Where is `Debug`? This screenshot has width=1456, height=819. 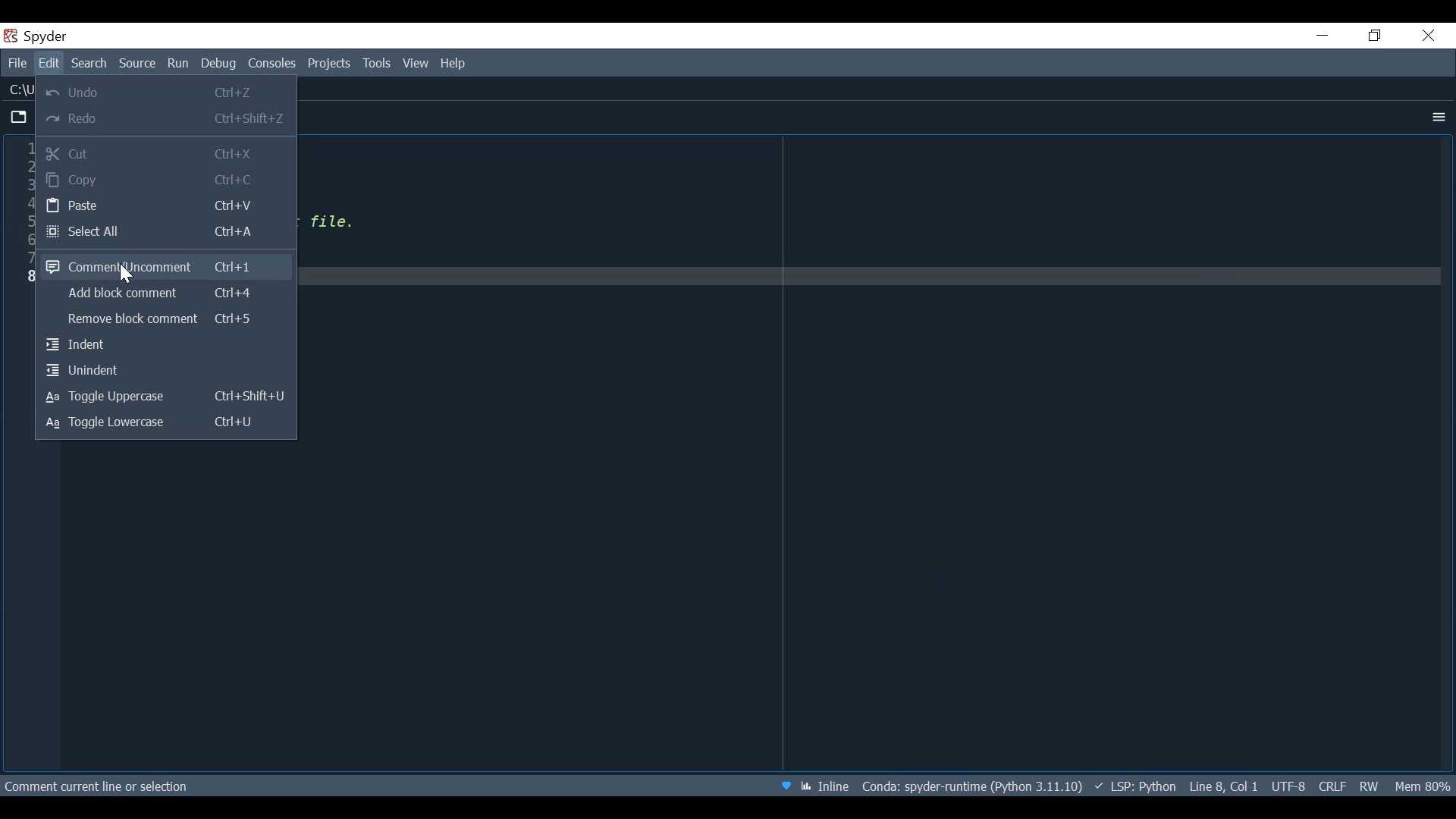 Debug is located at coordinates (219, 65).